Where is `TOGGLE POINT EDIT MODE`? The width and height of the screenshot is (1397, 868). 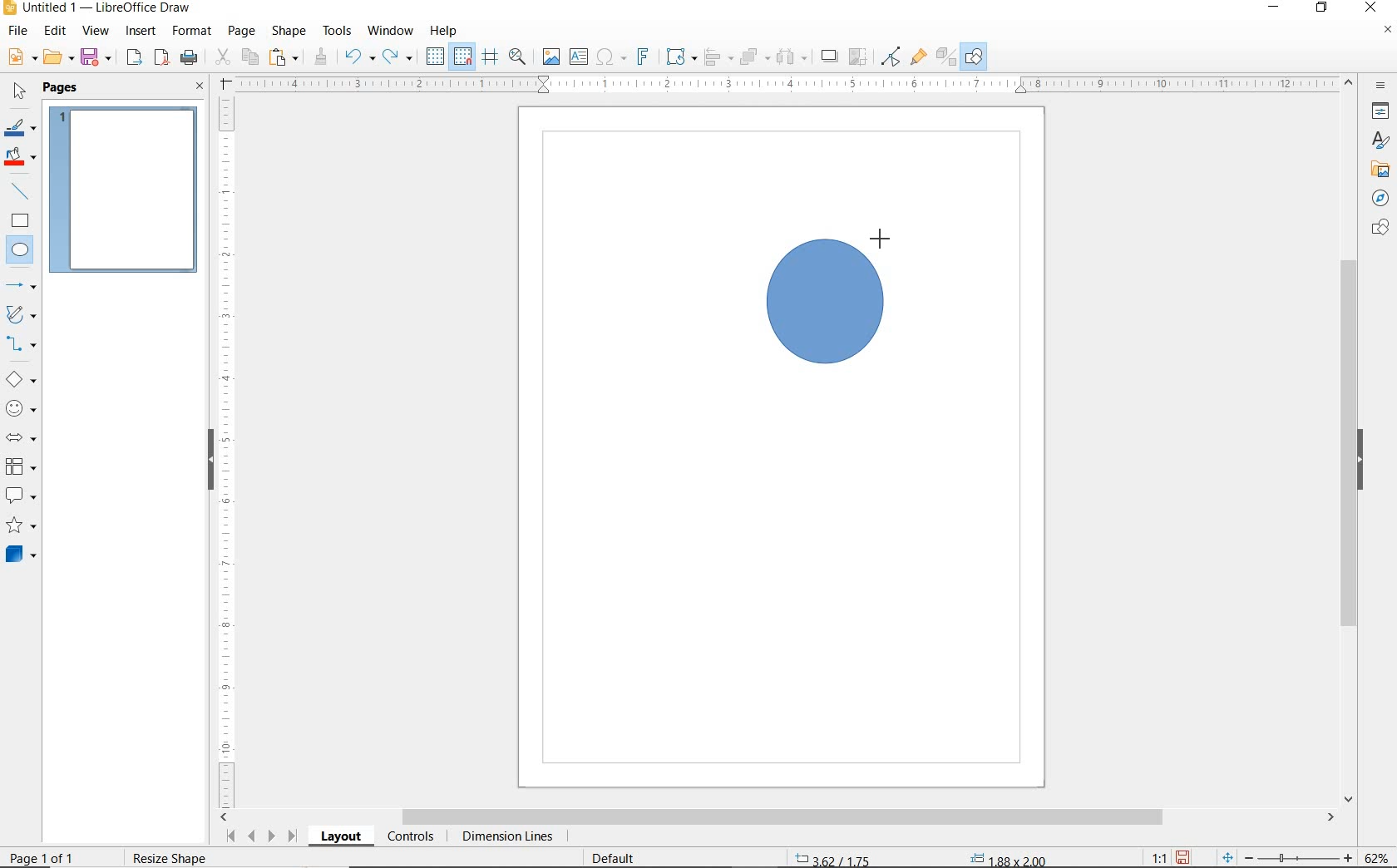 TOGGLE POINT EDIT MODE is located at coordinates (891, 57).